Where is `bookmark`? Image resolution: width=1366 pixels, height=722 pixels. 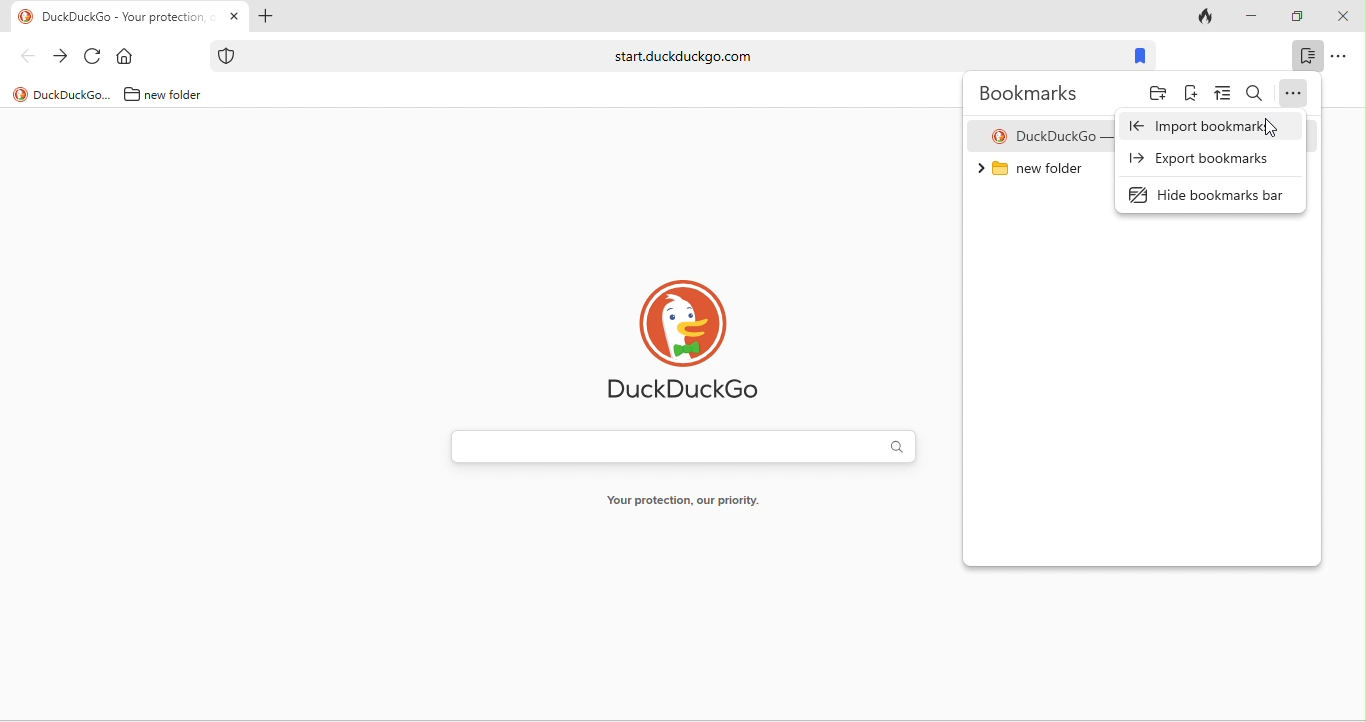 bookmark is located at coordinates (1191, 96).